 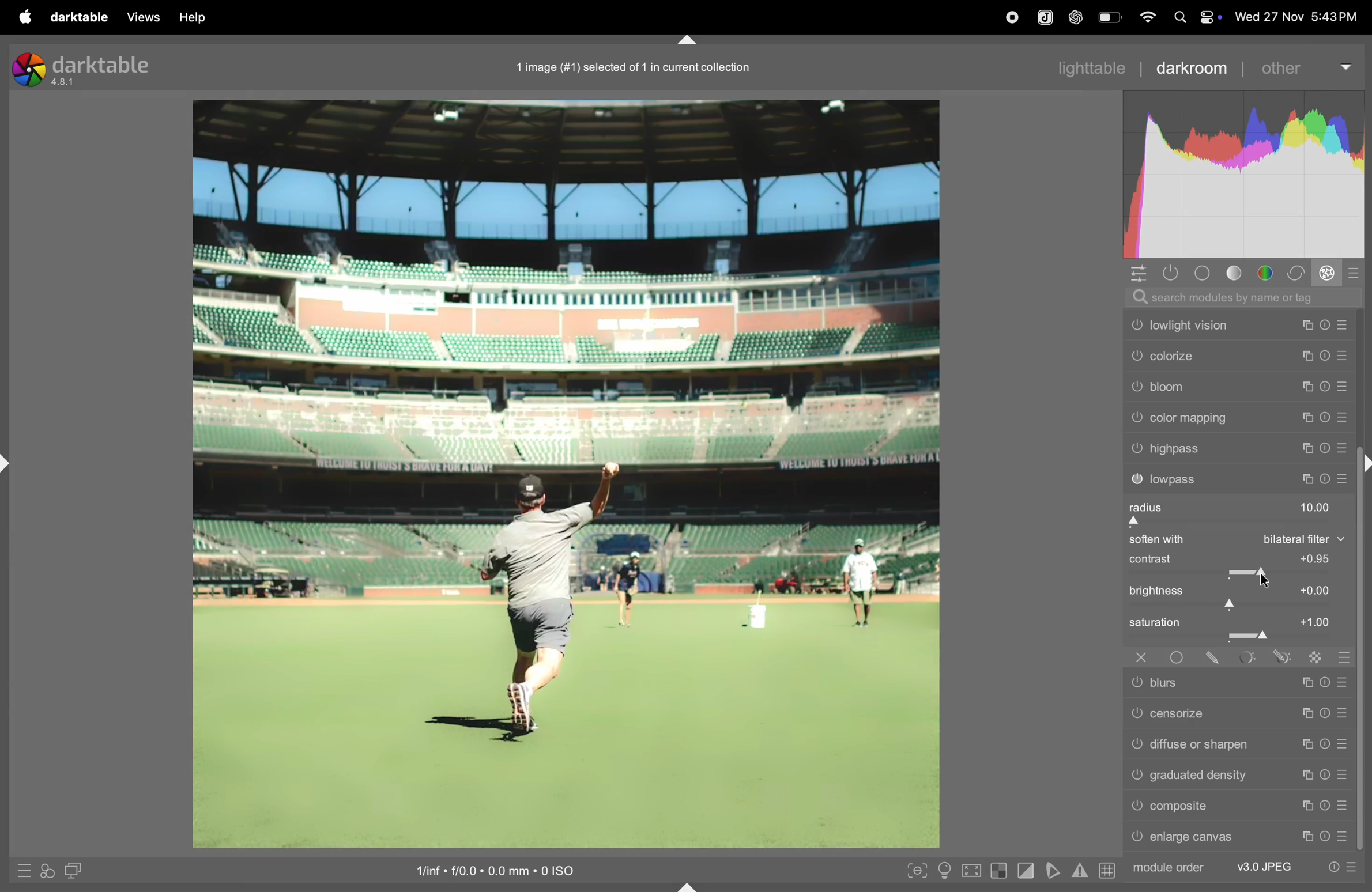 What do you see at coordinates (1239, 712) in the screenshot?
I see `censorize` at bounding box center [1239, 712].